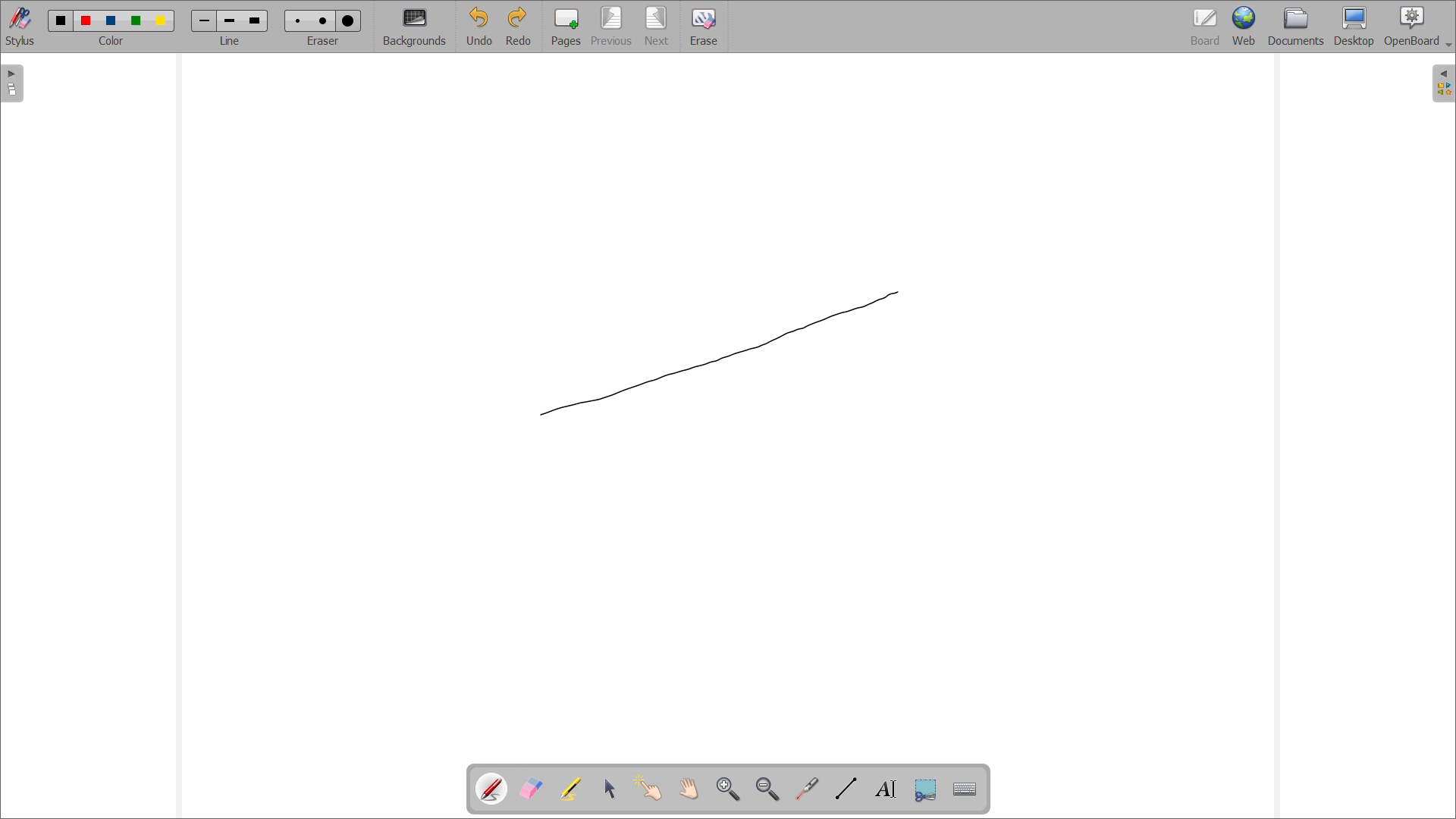 The image size is (1456, 819). What do you see at coordinates (657, 27) in the screenshot?
I see `next page` at bounding box center [657, 27].